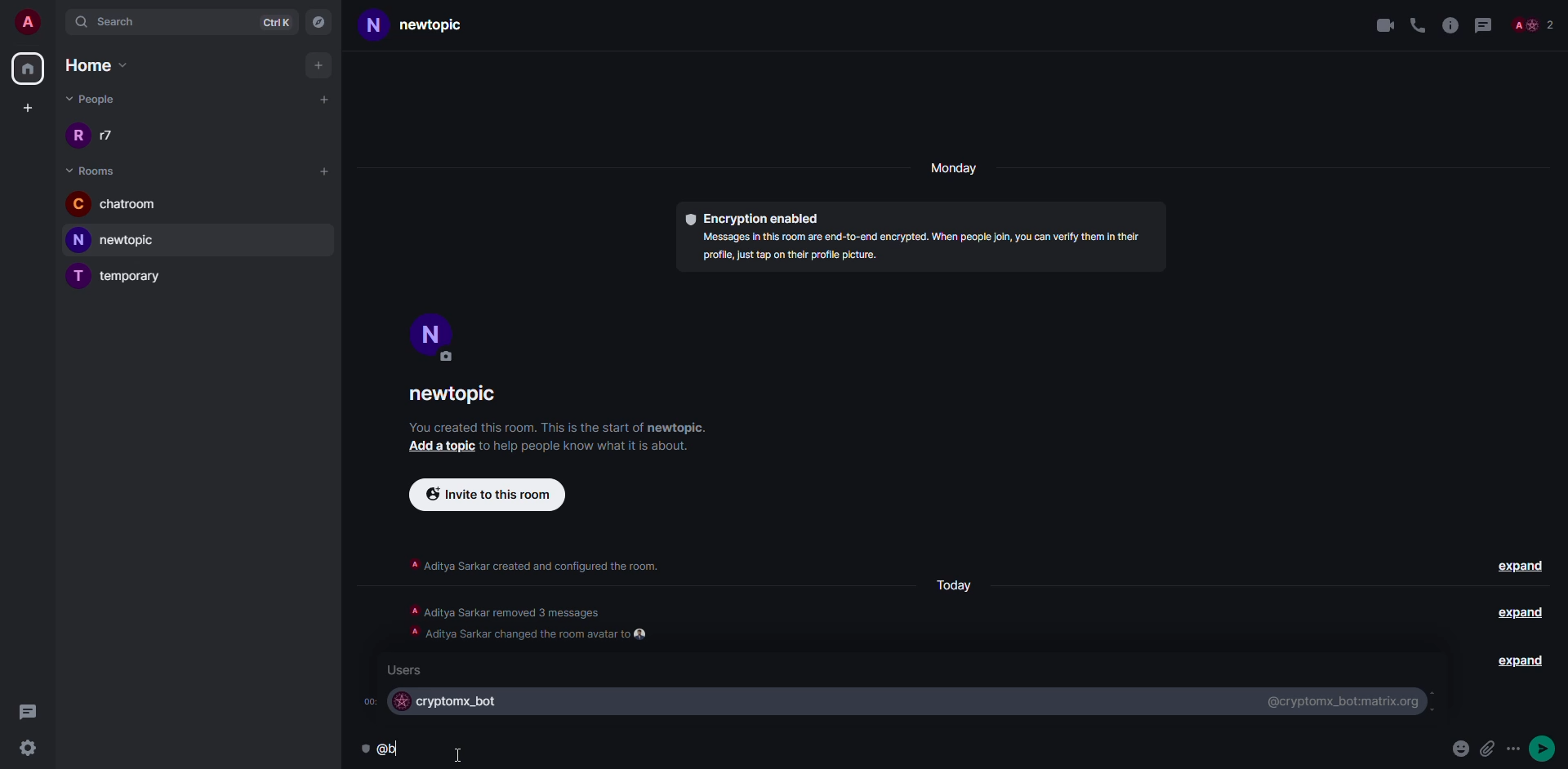  I want to click on encryption enabled, so click(751, 214).